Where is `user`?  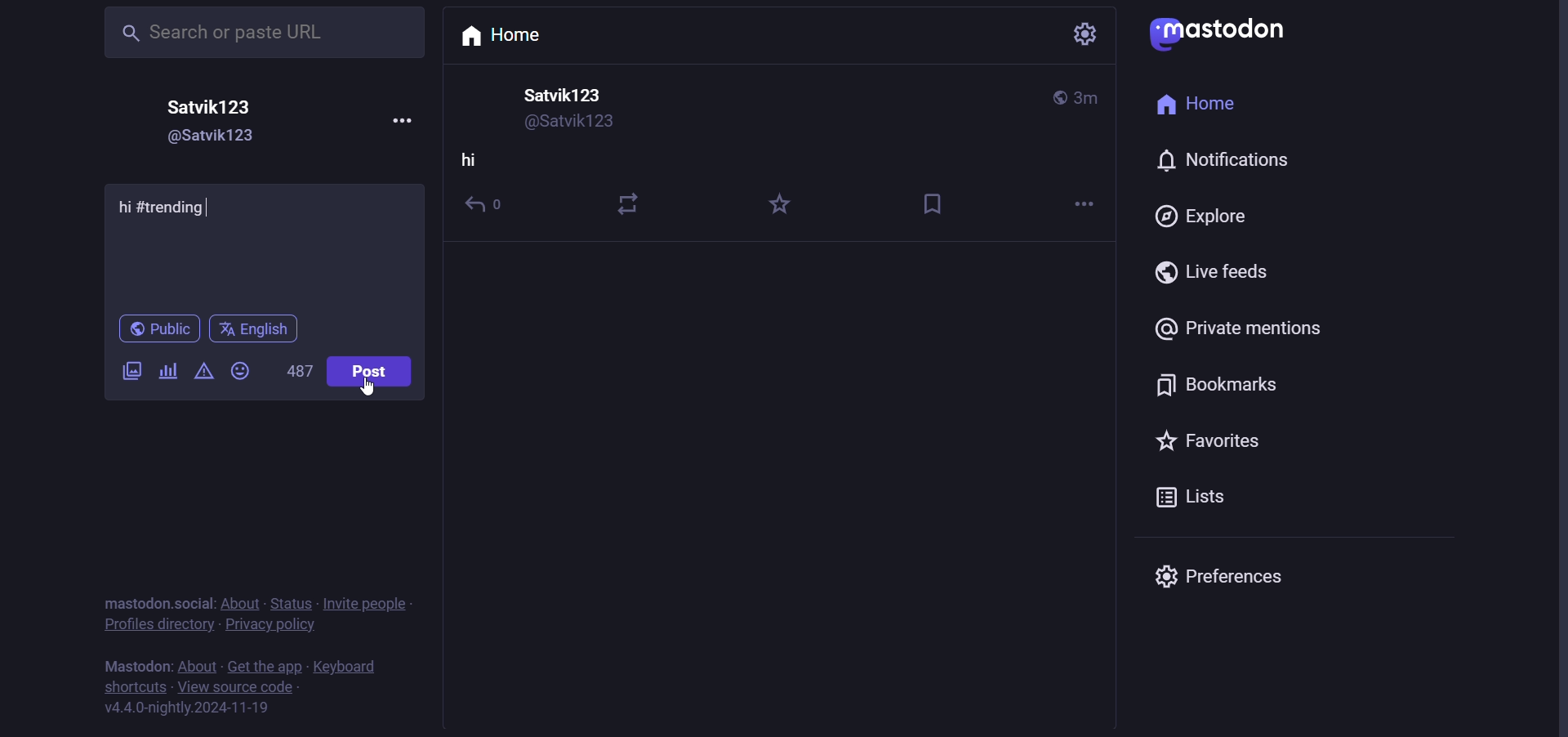
user is located at coordinates (568, 96).